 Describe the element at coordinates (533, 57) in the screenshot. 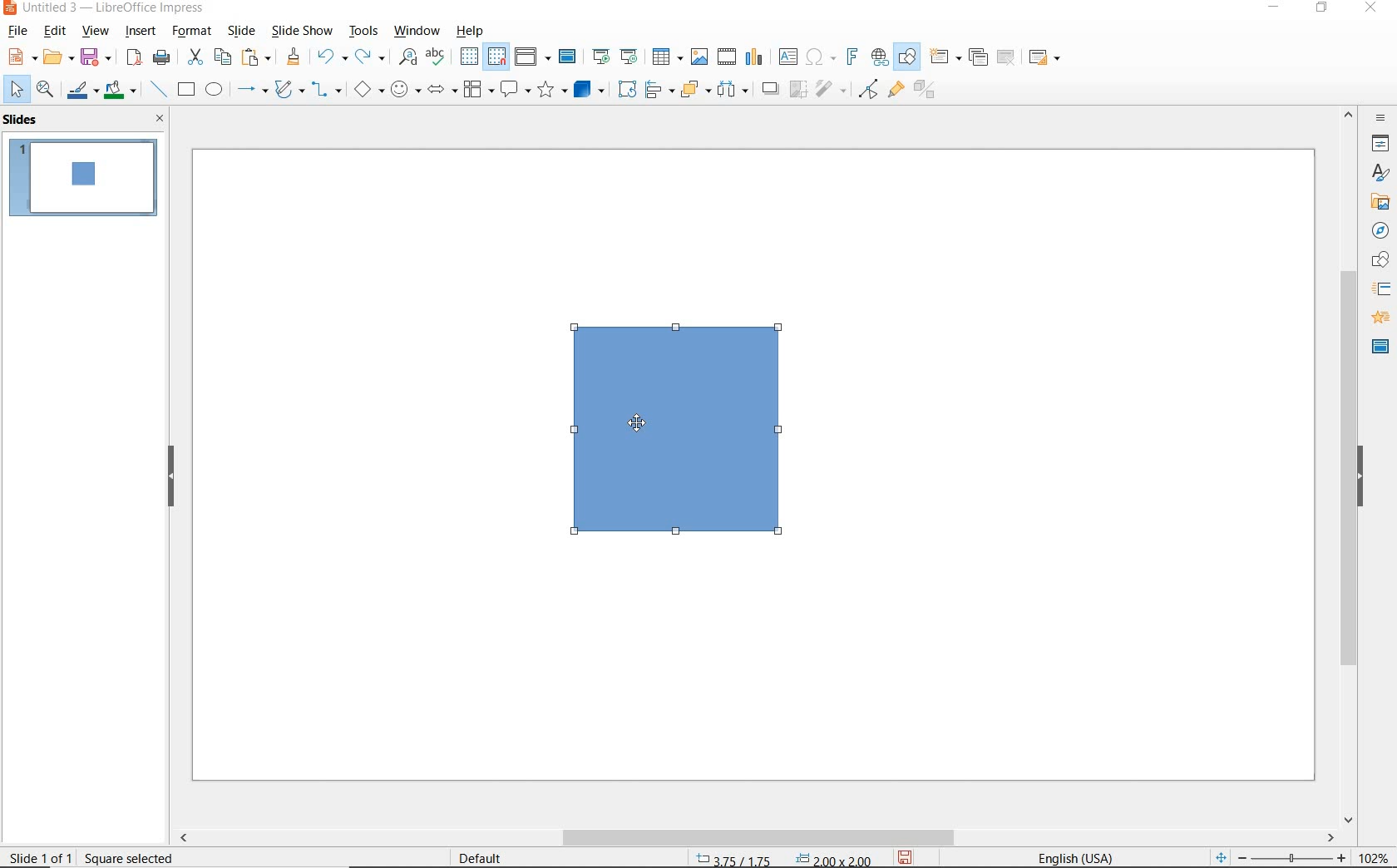

I see `display view` at that location.